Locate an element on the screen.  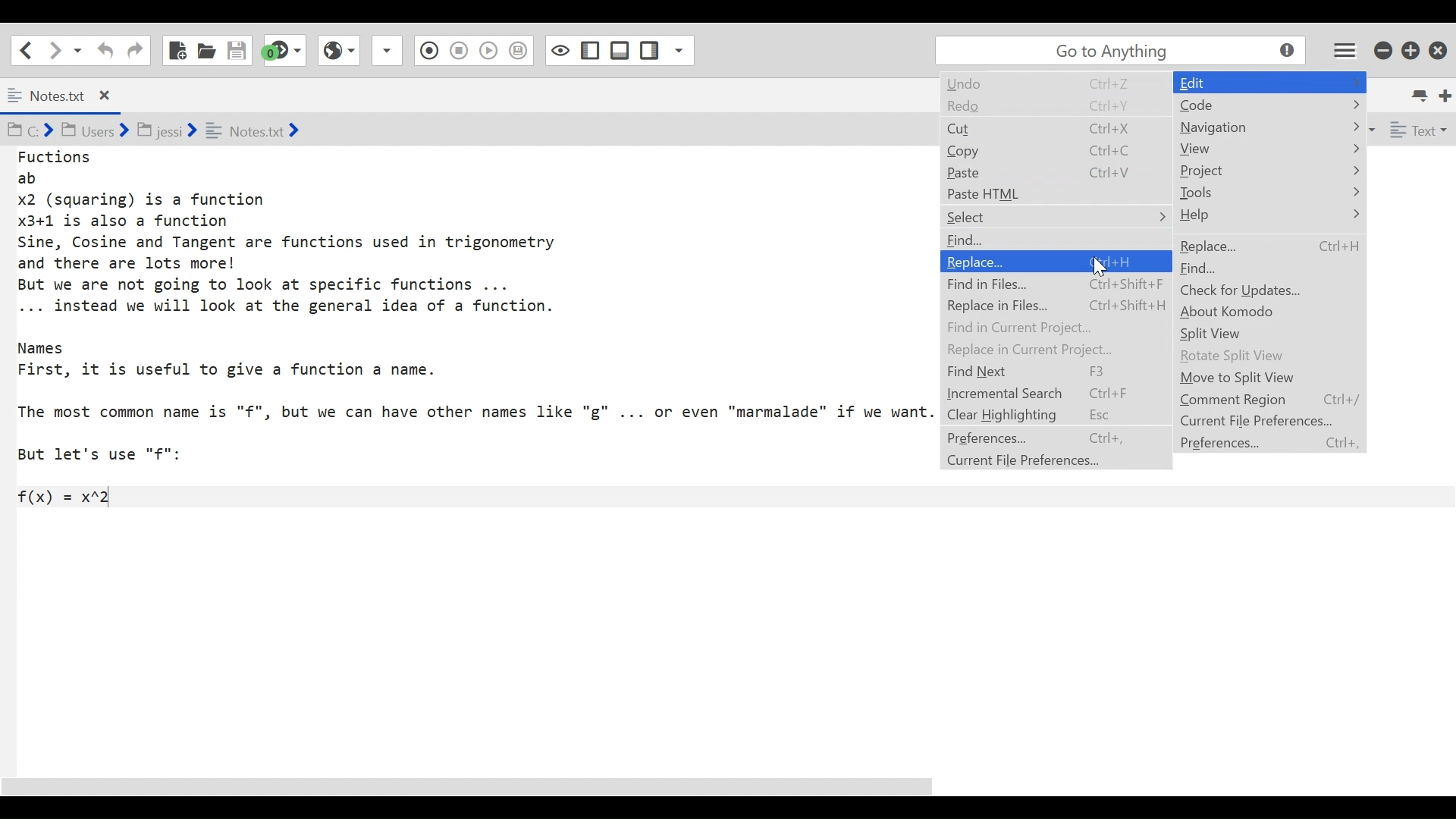
 is located at coordinates (135, 51).